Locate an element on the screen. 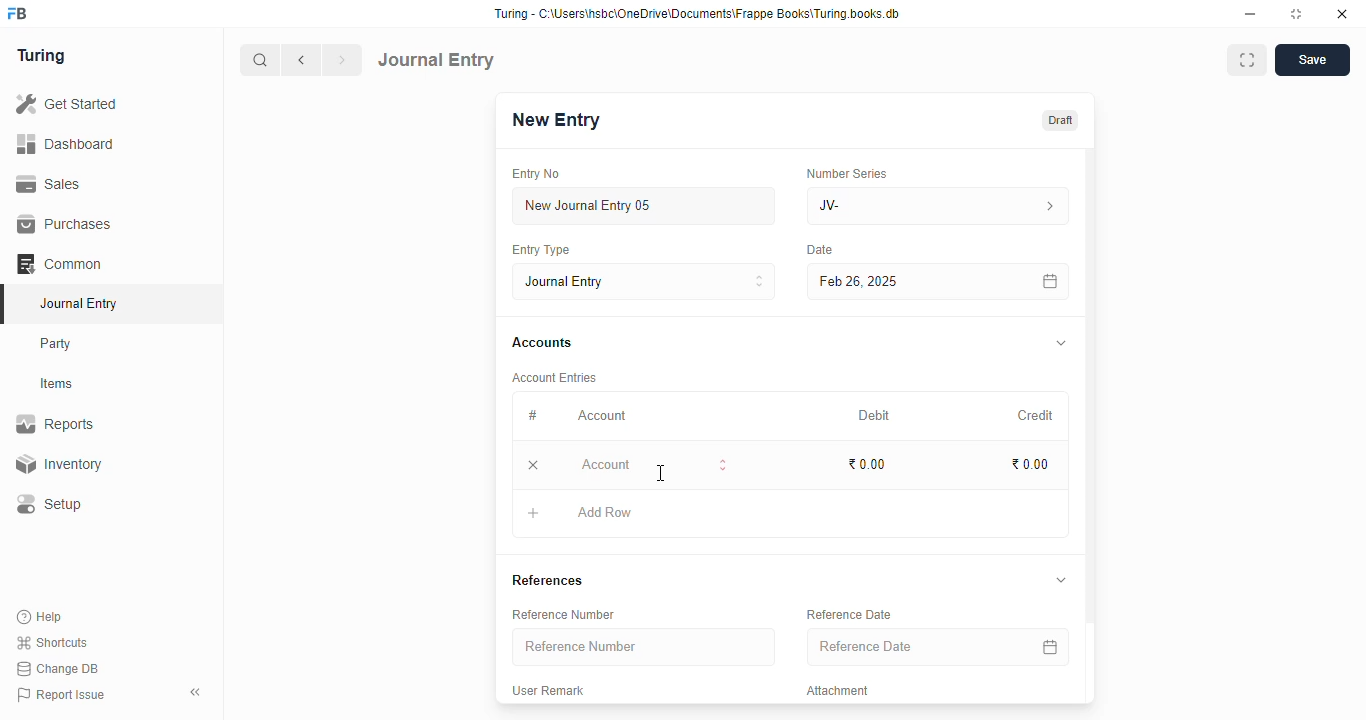  ₹0.00 is located at coordinates (1031, 465).